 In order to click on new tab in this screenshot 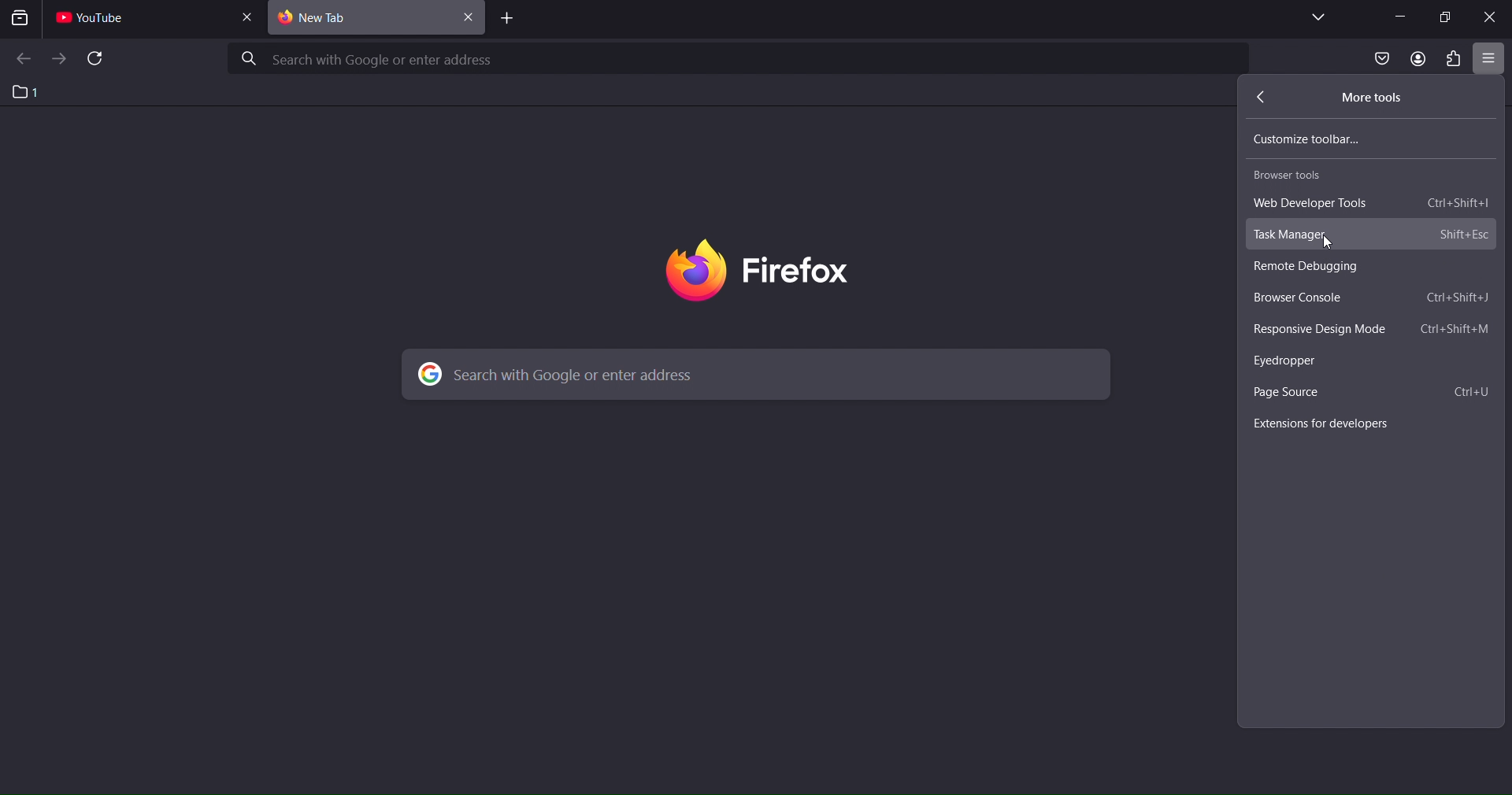, I will do `click(361, 19)`.